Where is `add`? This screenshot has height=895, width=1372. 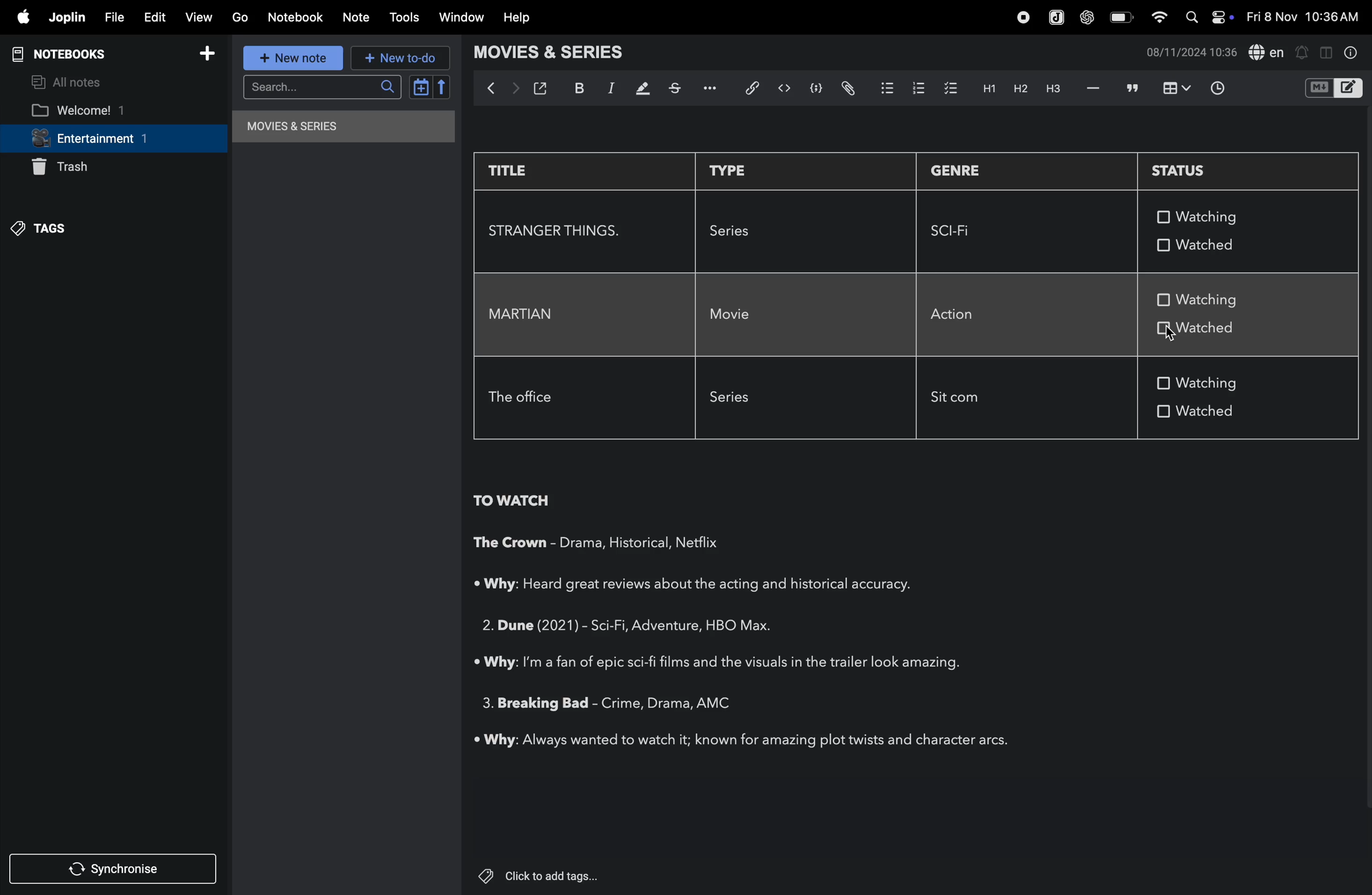
add is located at coordinates (211, 53).